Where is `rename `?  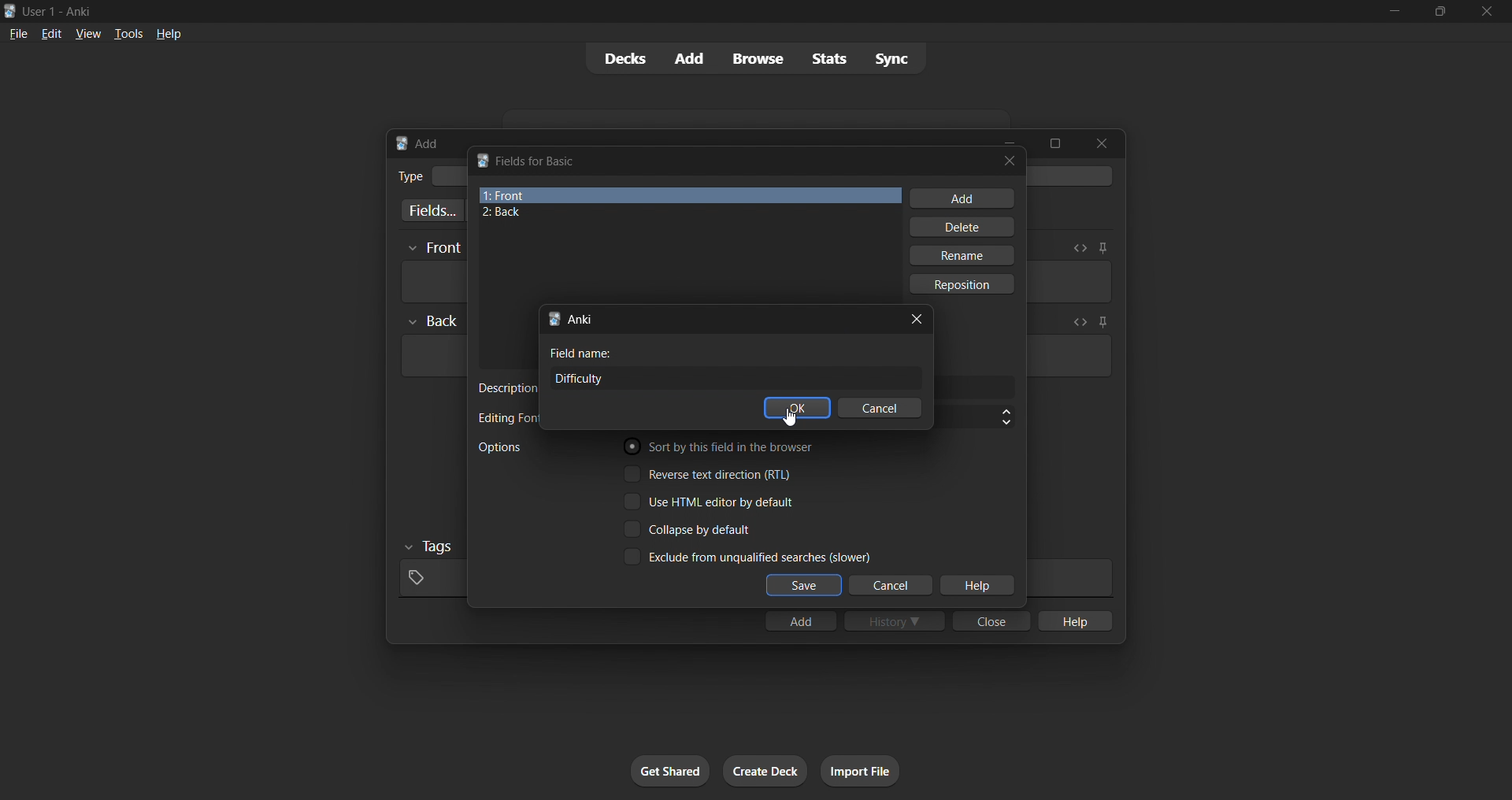 rename  is located at coordinates (961, 255).